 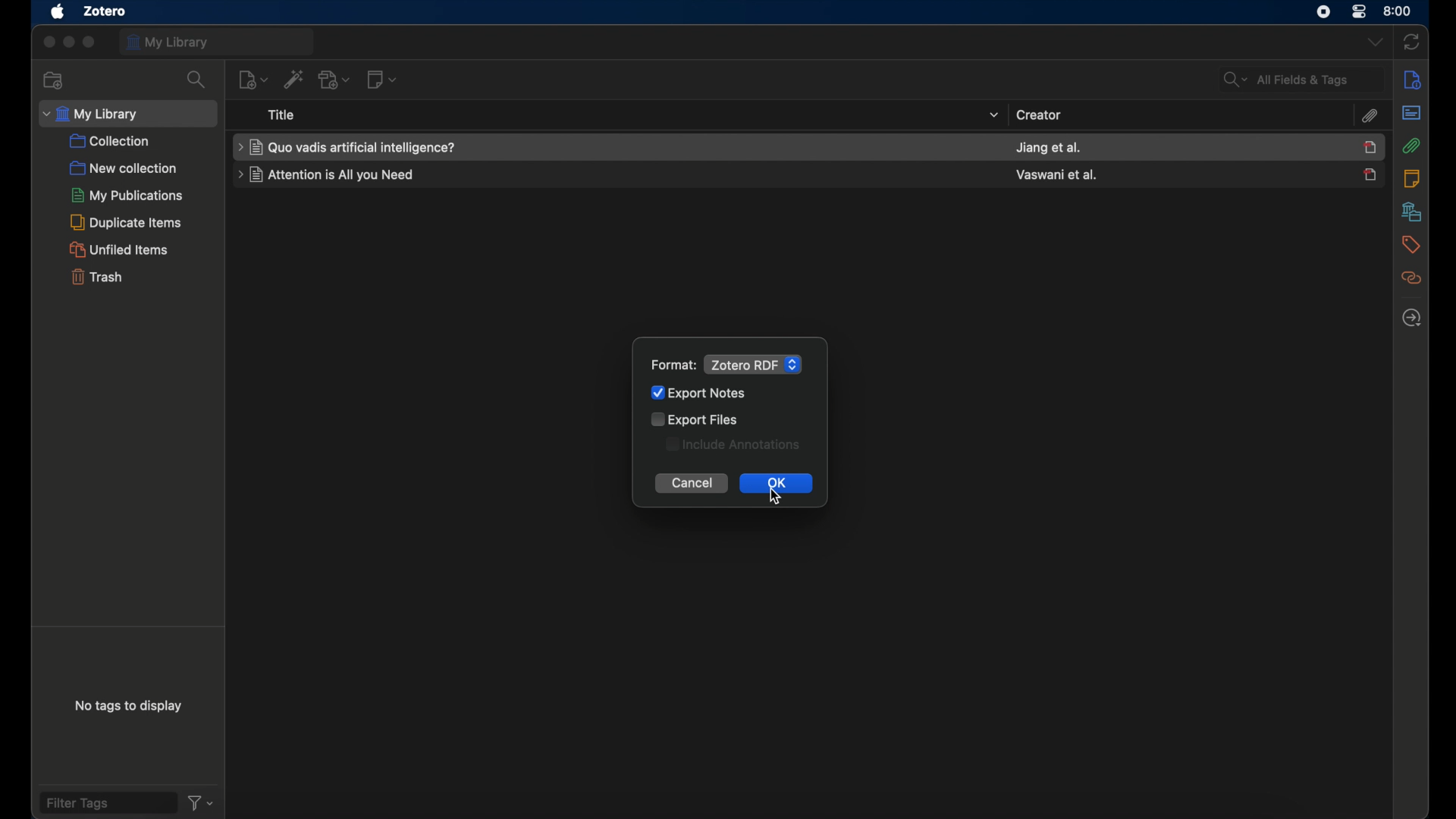 What do you see at coordinates (692, 484) in the screenshot?
I see `cancel` at bounding box center [692, 484].